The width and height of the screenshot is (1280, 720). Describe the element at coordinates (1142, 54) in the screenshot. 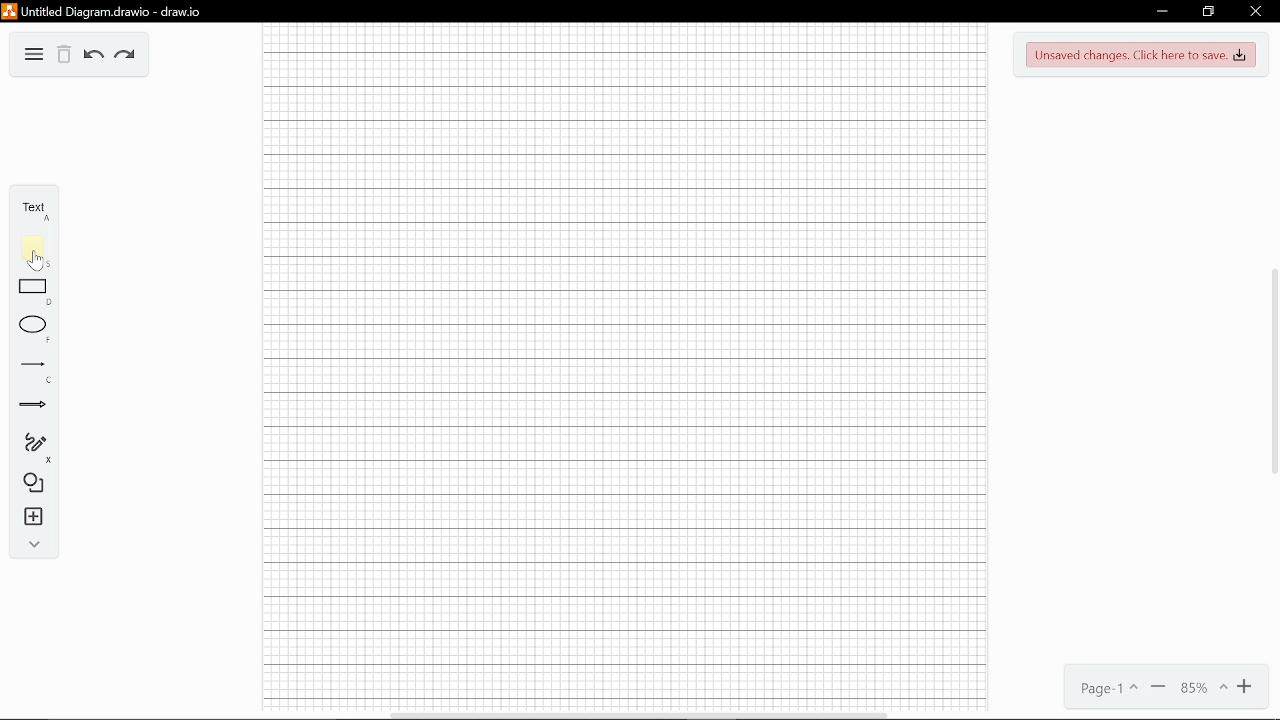

I see `Unsaved changes. Click here to save` at that location.